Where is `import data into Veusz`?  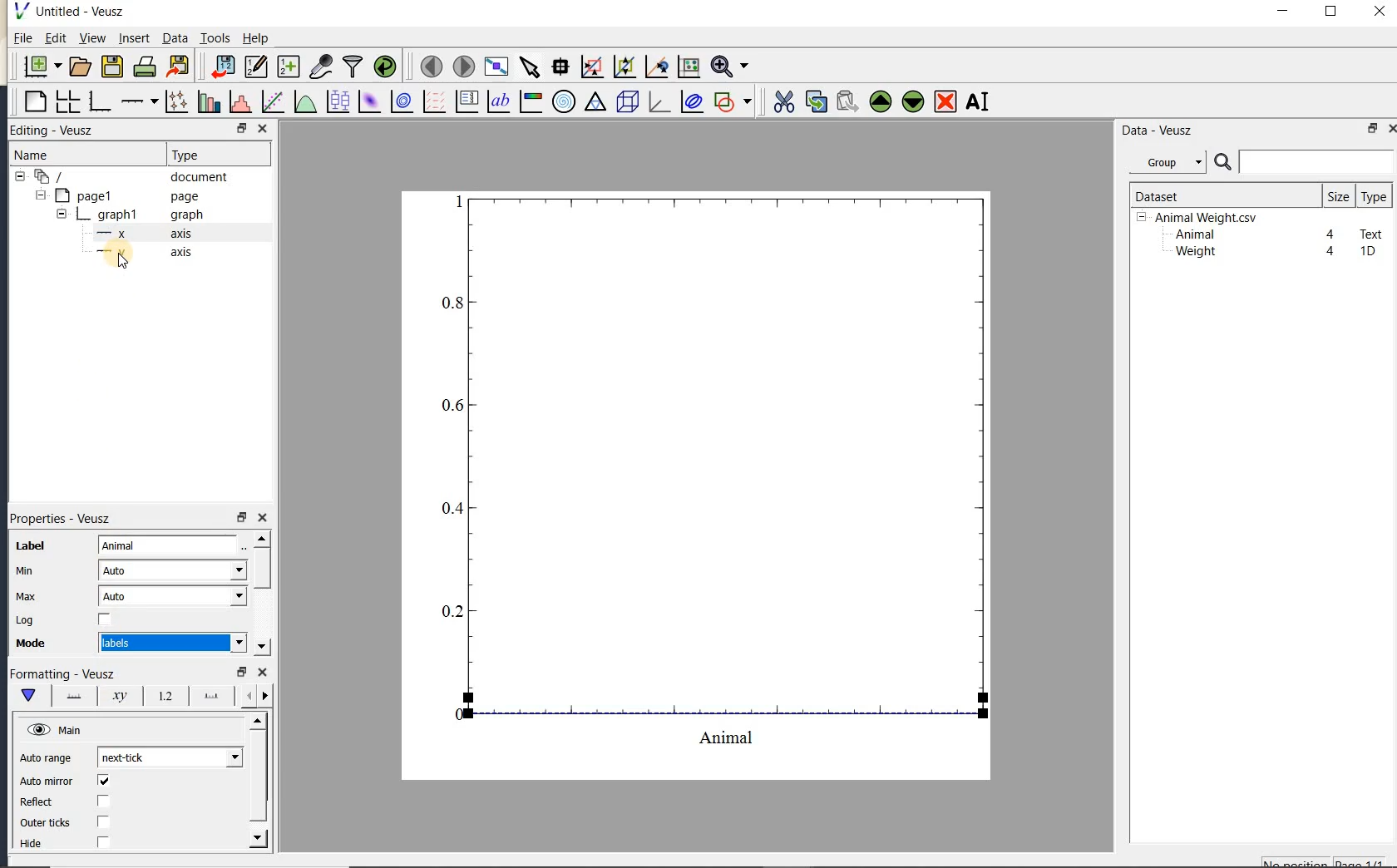
import data into Veusz is located at coordinates (223, 67).